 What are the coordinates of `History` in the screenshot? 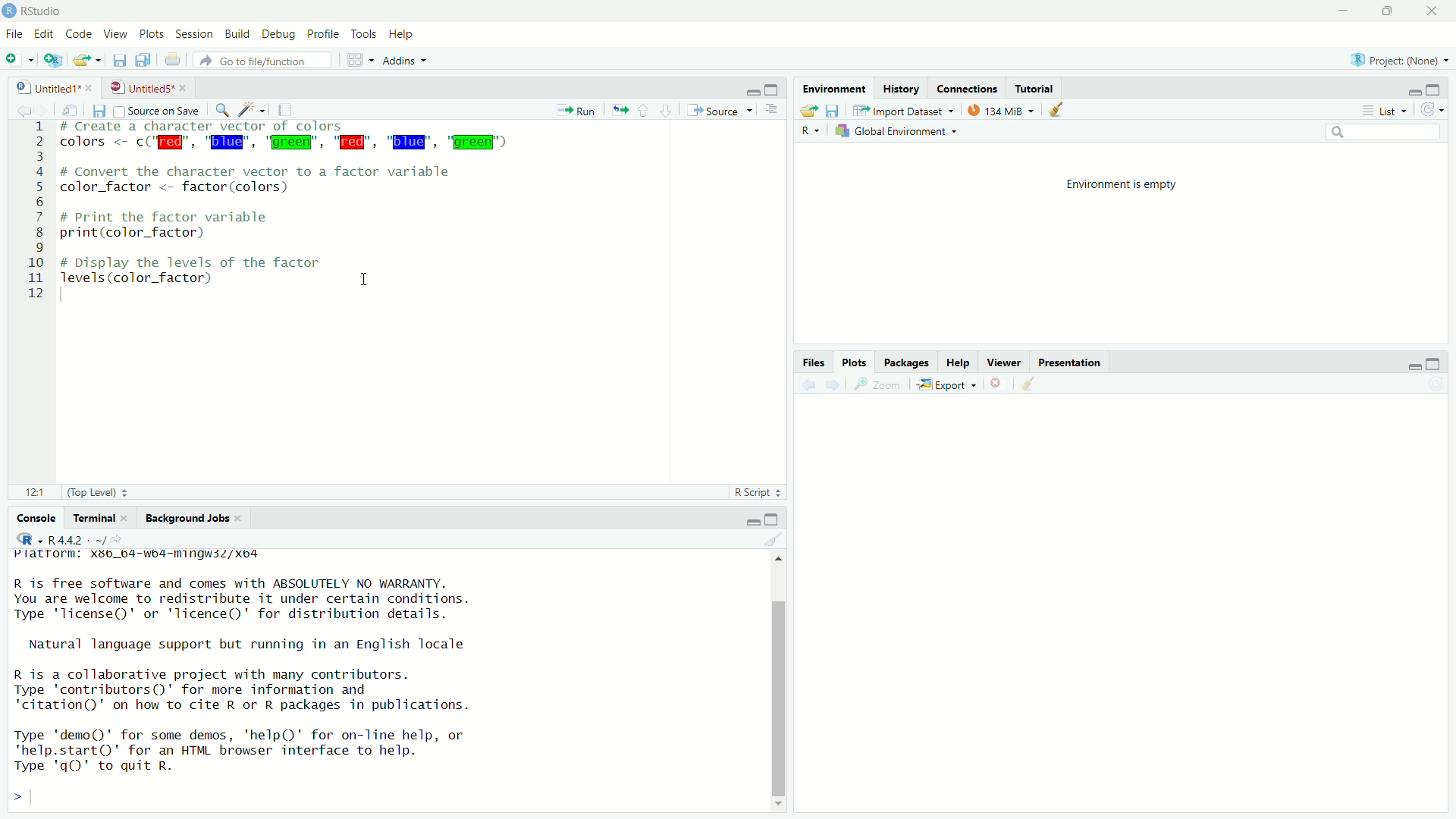 It's located at (900, 86).